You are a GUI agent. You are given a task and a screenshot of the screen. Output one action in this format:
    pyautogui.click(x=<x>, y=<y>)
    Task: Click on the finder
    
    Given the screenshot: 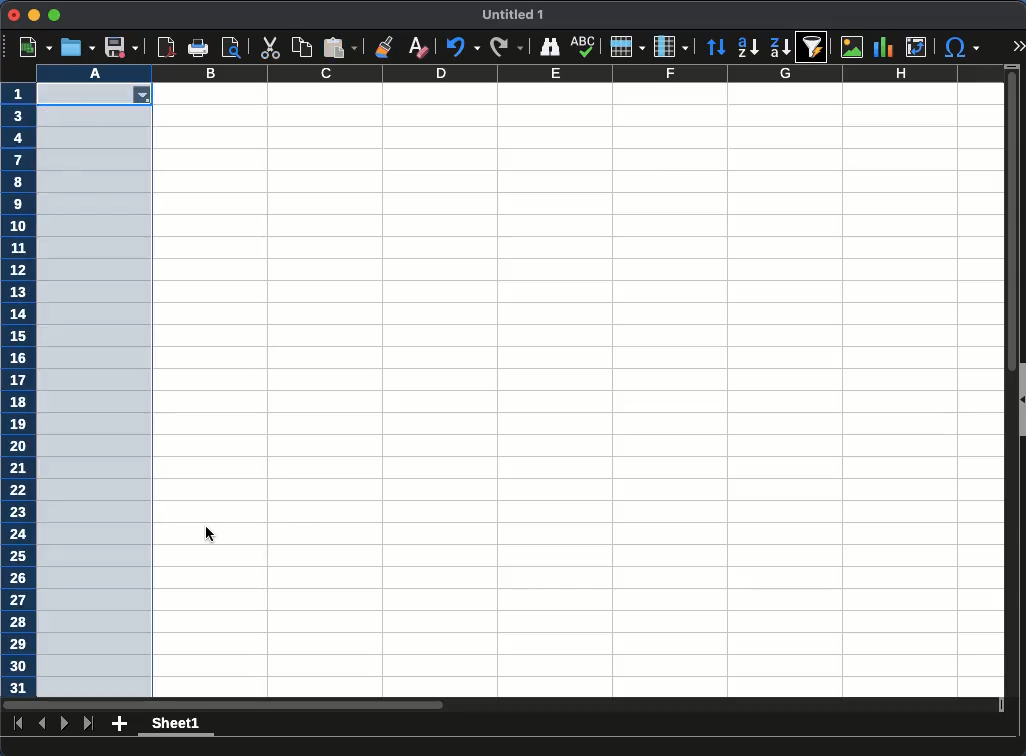 What is the action you would take?
    pyautogui.click(x=549, y=48)
    